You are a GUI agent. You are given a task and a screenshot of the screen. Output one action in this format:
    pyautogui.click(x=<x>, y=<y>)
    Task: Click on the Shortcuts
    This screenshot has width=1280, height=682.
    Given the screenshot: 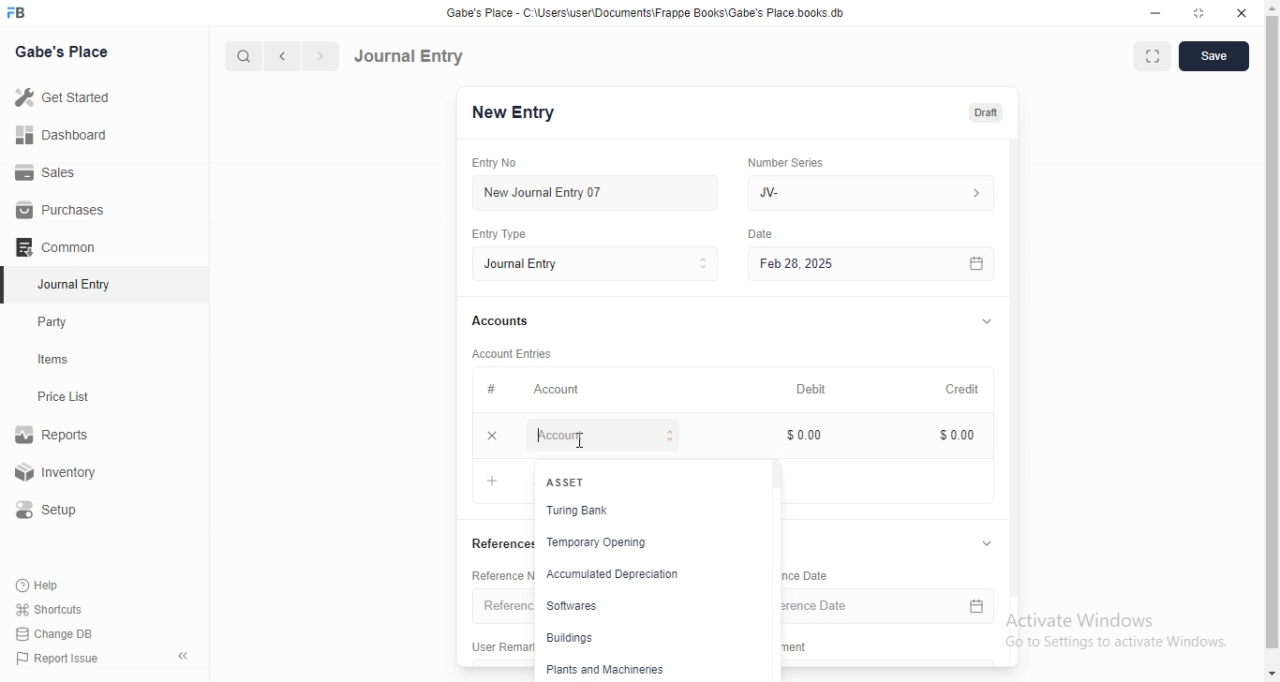 What is the action you would take?
    pyautogui.click(x=49, y=608)
    